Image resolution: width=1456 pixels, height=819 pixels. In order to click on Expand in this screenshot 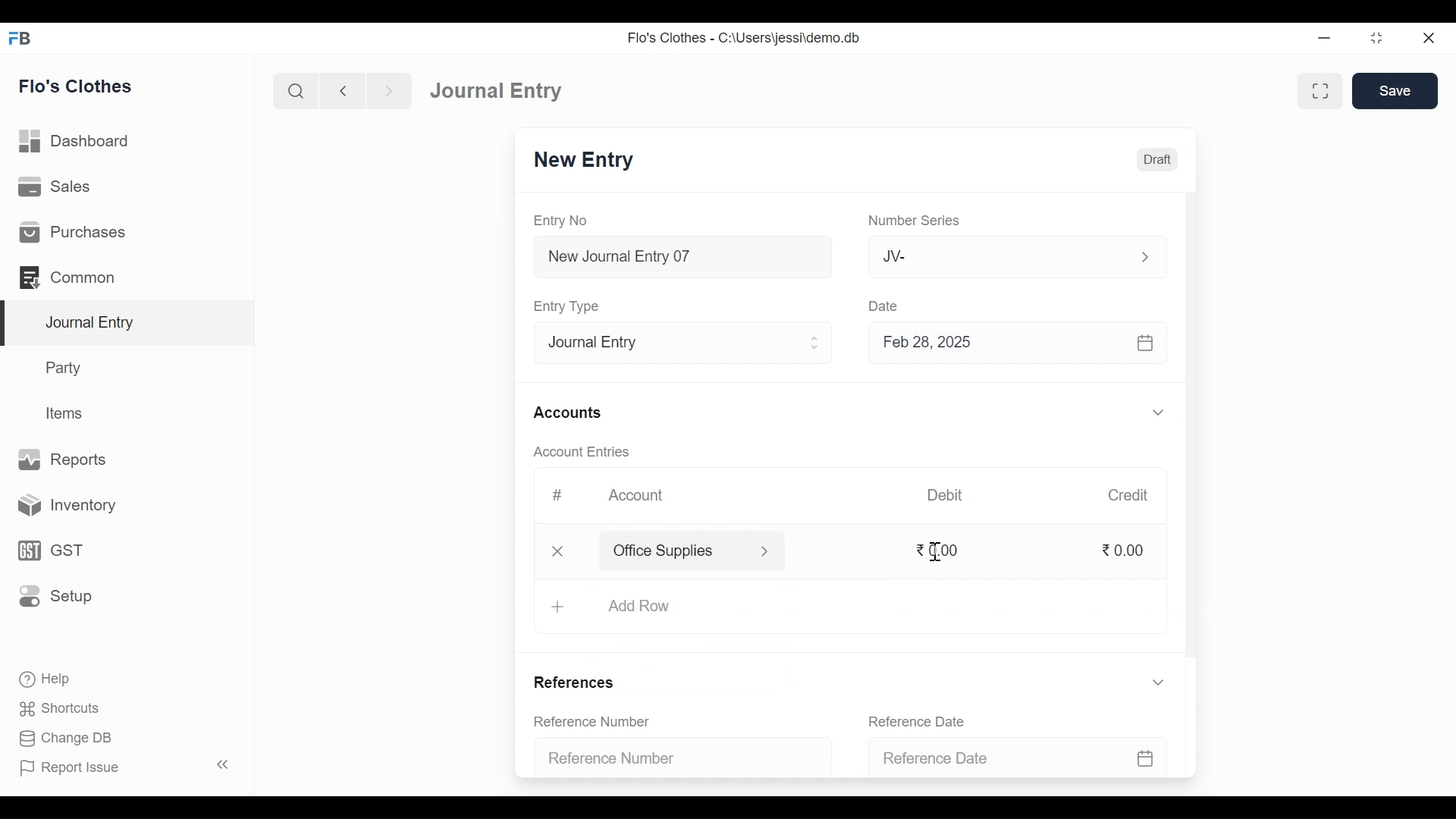, I will do `click(817, 343)`.